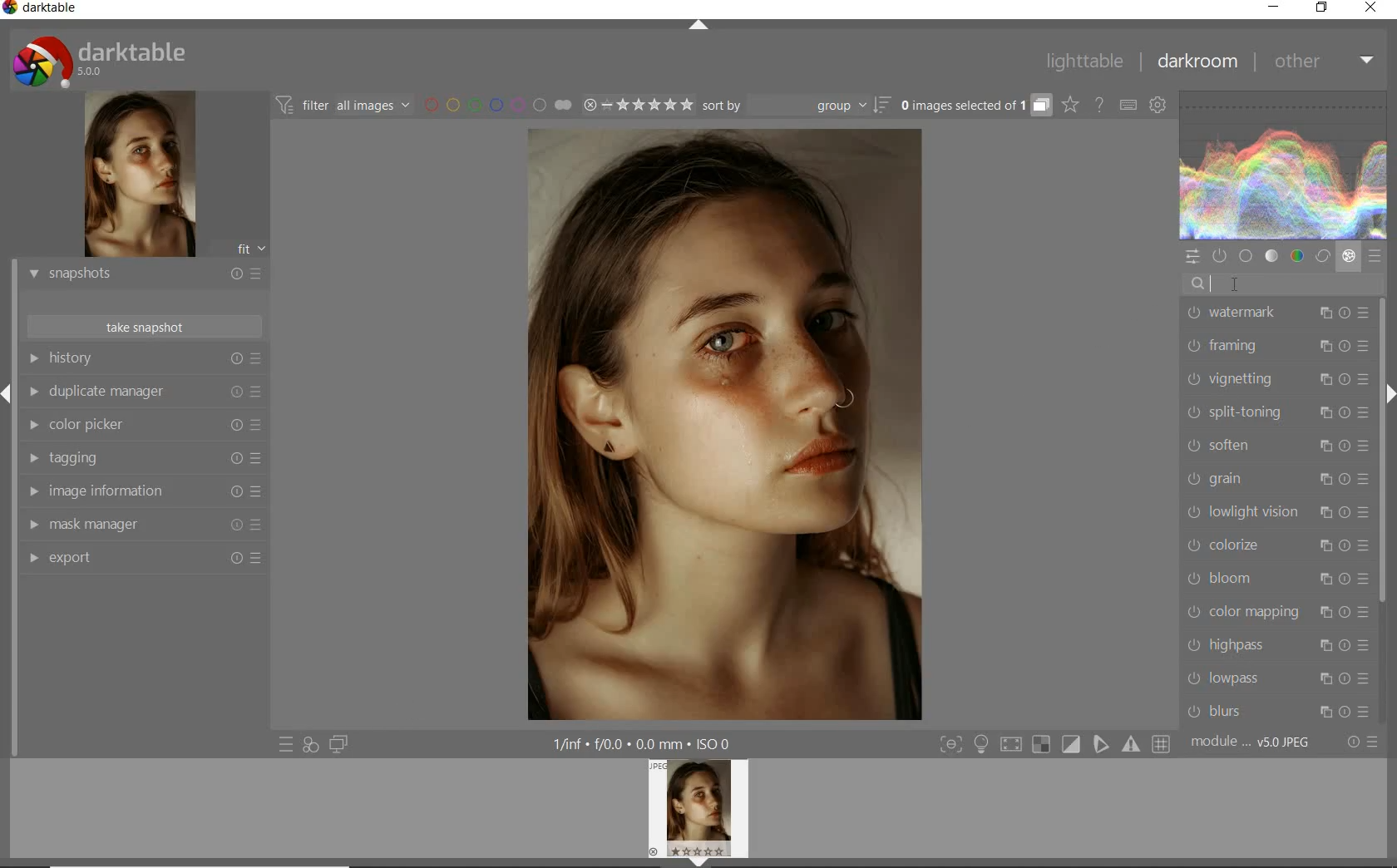 The height and width of the screenshot is (868, 1397). What do you see at coordinates (309, 745) in the screenshot?
I see `quick access for applying any of your styles` at bounding box center [309, 745].